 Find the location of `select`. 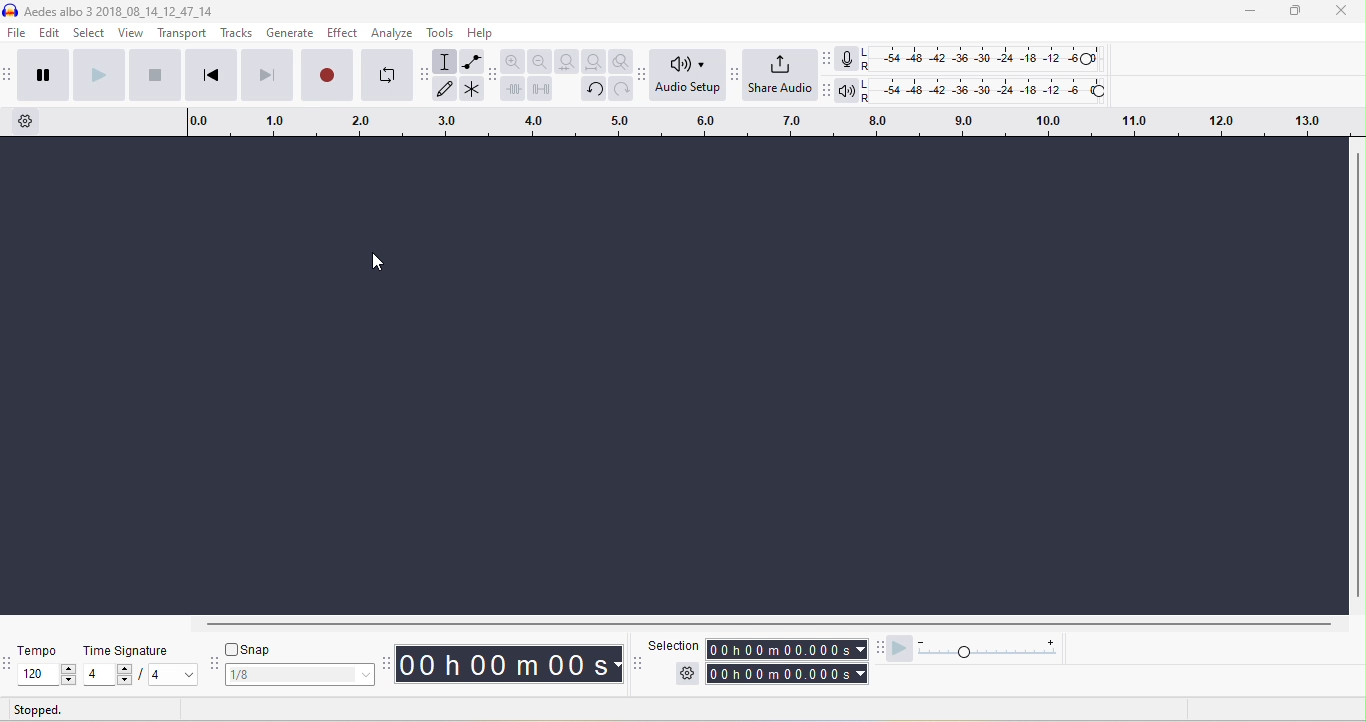

select is located at coordinates (90, 33).